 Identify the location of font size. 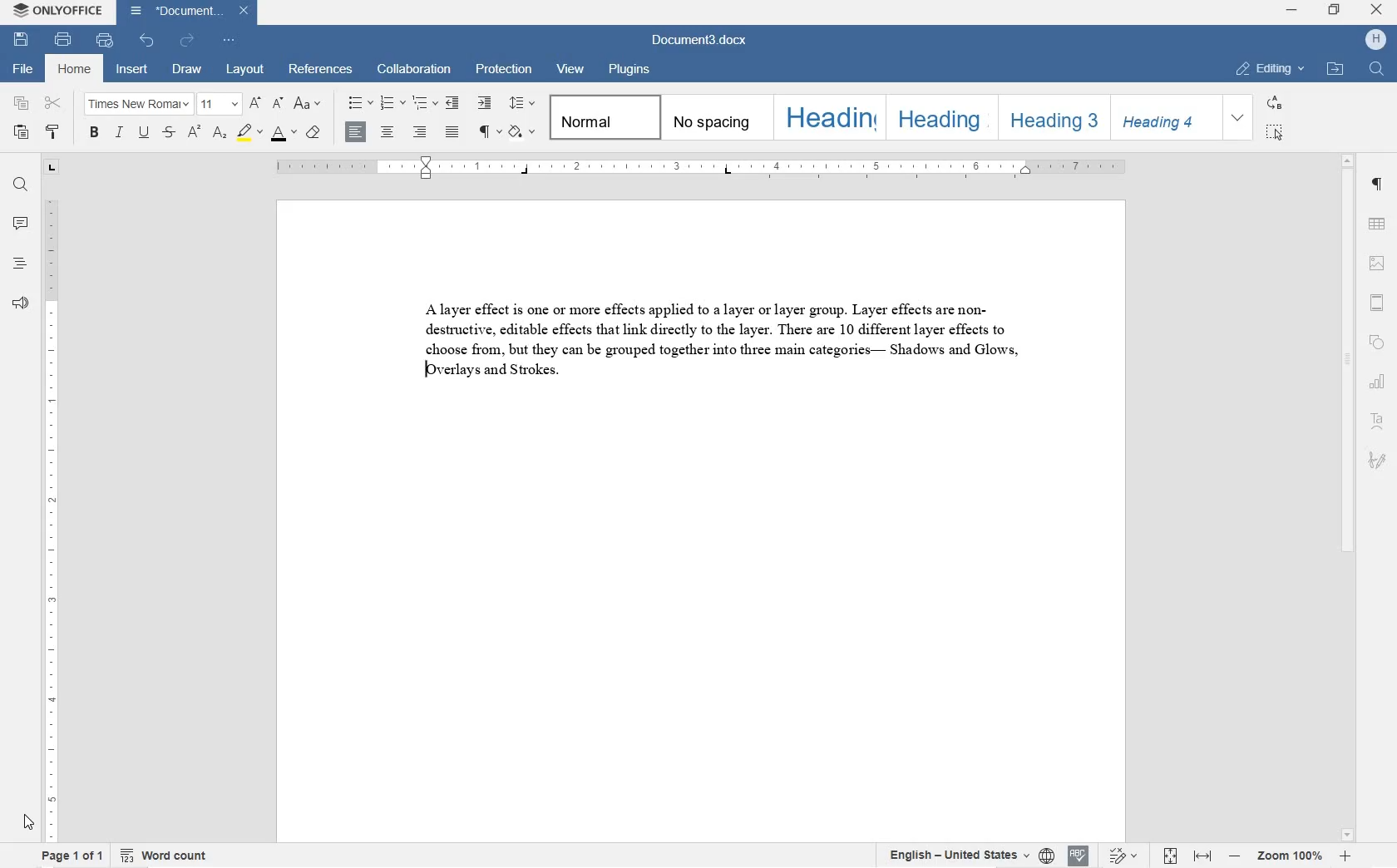
(218, 104).